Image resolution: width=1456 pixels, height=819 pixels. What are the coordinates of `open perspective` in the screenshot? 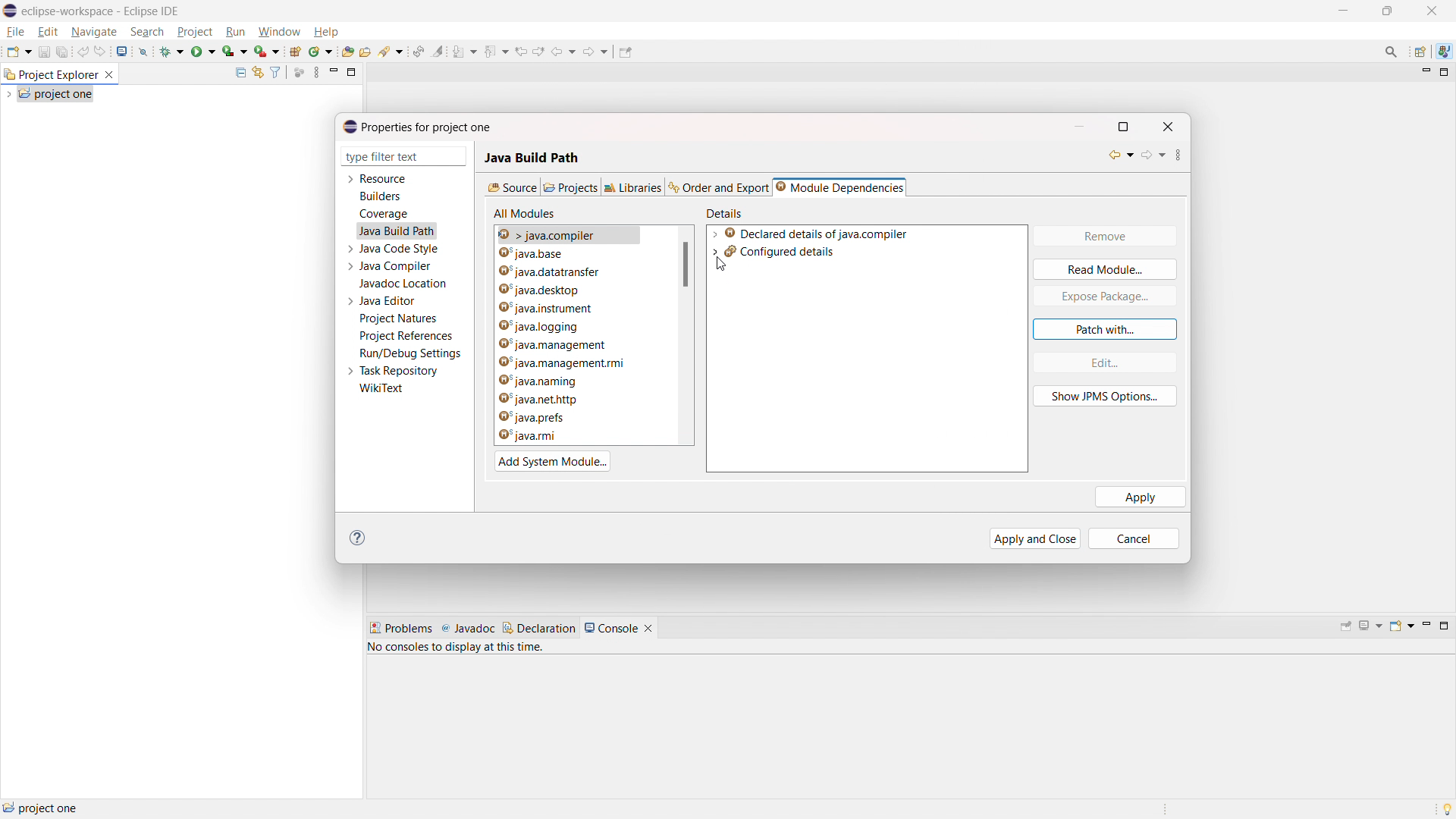 It's located at (1421, 52).